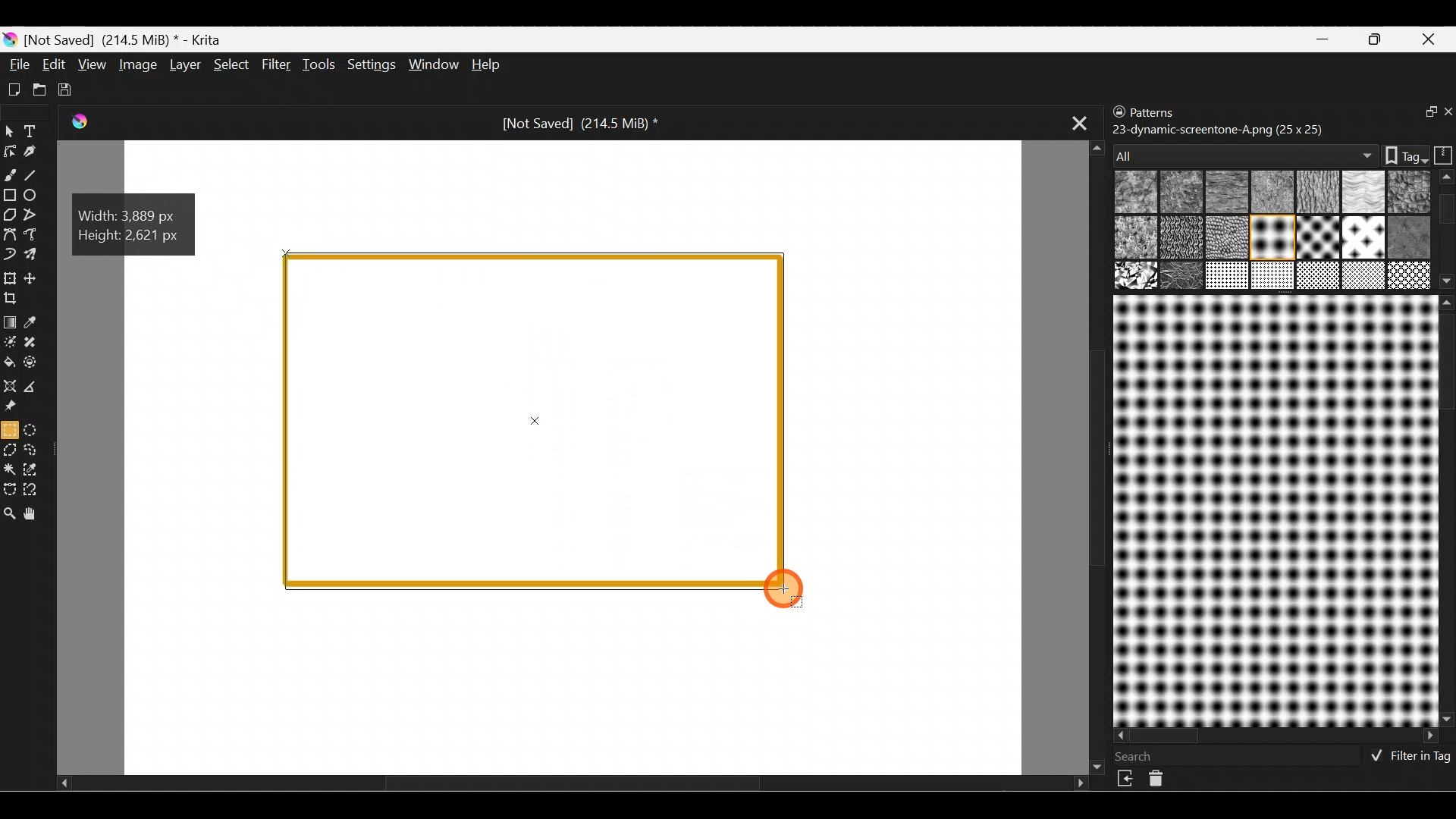 This screenshot has width=1456, height=819. I want to click on Polygon tool, so click(9, 212).